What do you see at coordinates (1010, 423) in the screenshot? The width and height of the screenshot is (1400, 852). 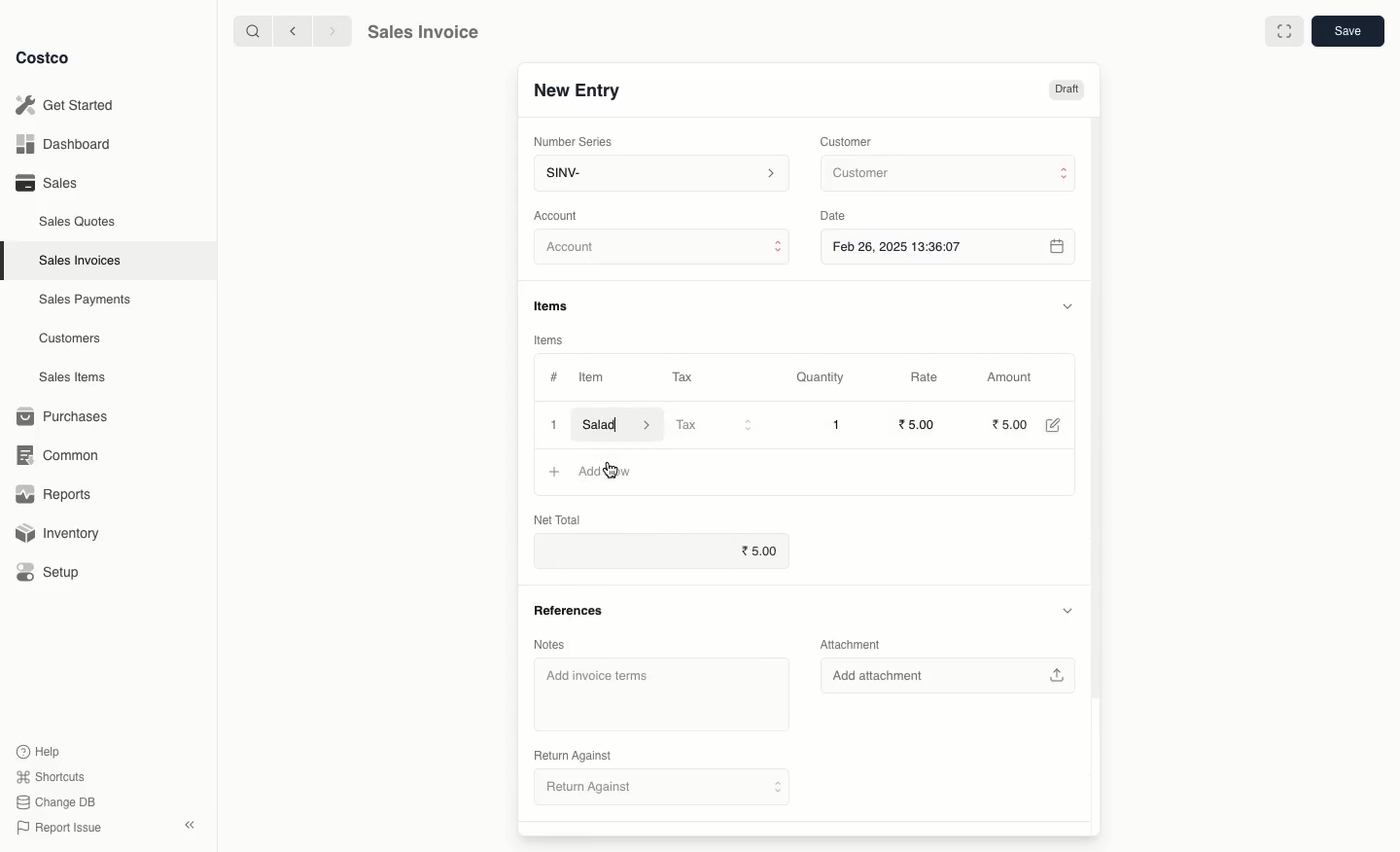 I see `5.00` at bounding box center [1010, 423].